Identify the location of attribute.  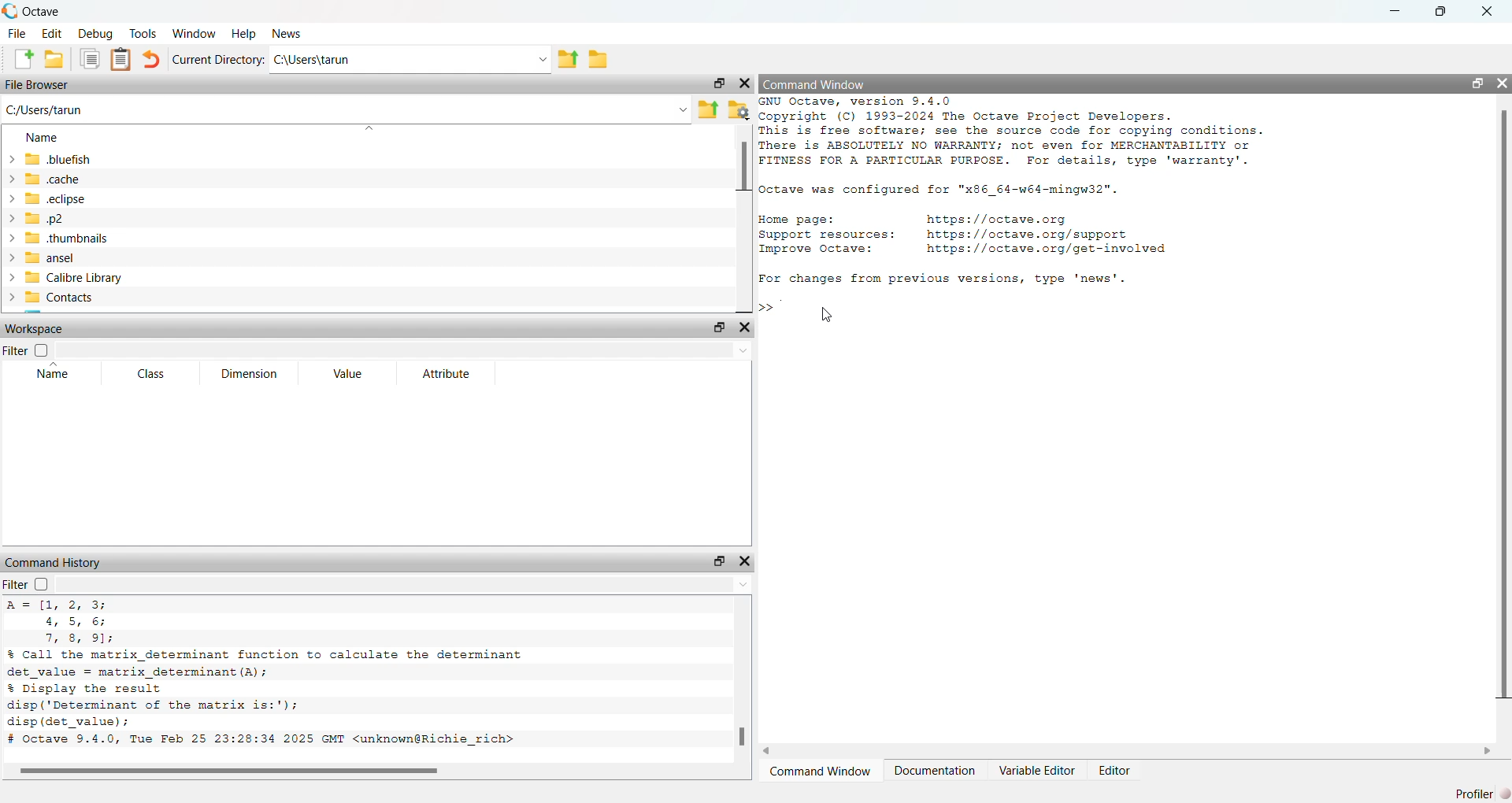
(446, 373).